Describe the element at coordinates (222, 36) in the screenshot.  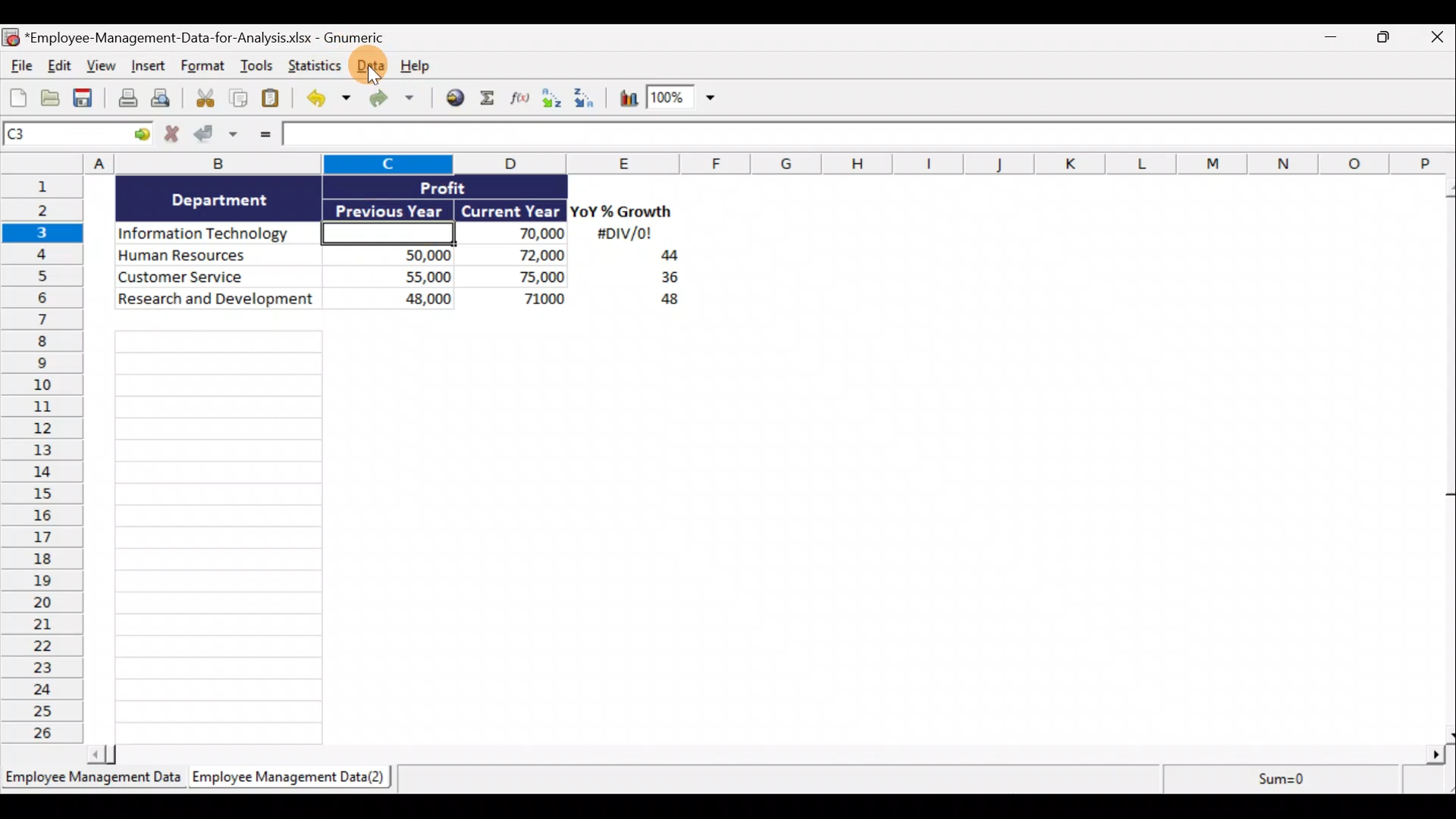
I see `*Employee-Management-Data-for-Analysis.xlsx - Gnumeric` at that location.